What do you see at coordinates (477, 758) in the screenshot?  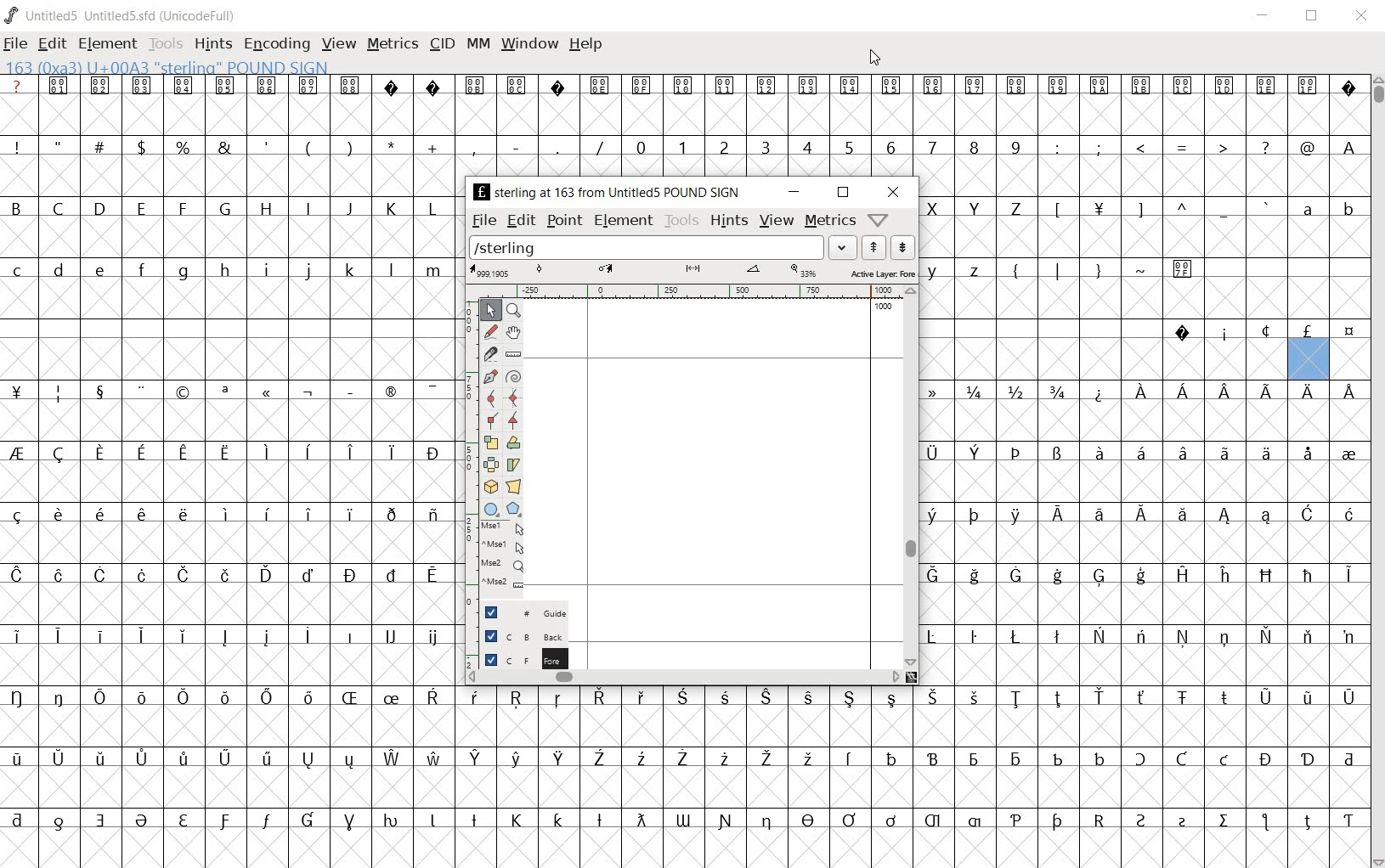 I see `Symbol` at bounding box center [477, 758].